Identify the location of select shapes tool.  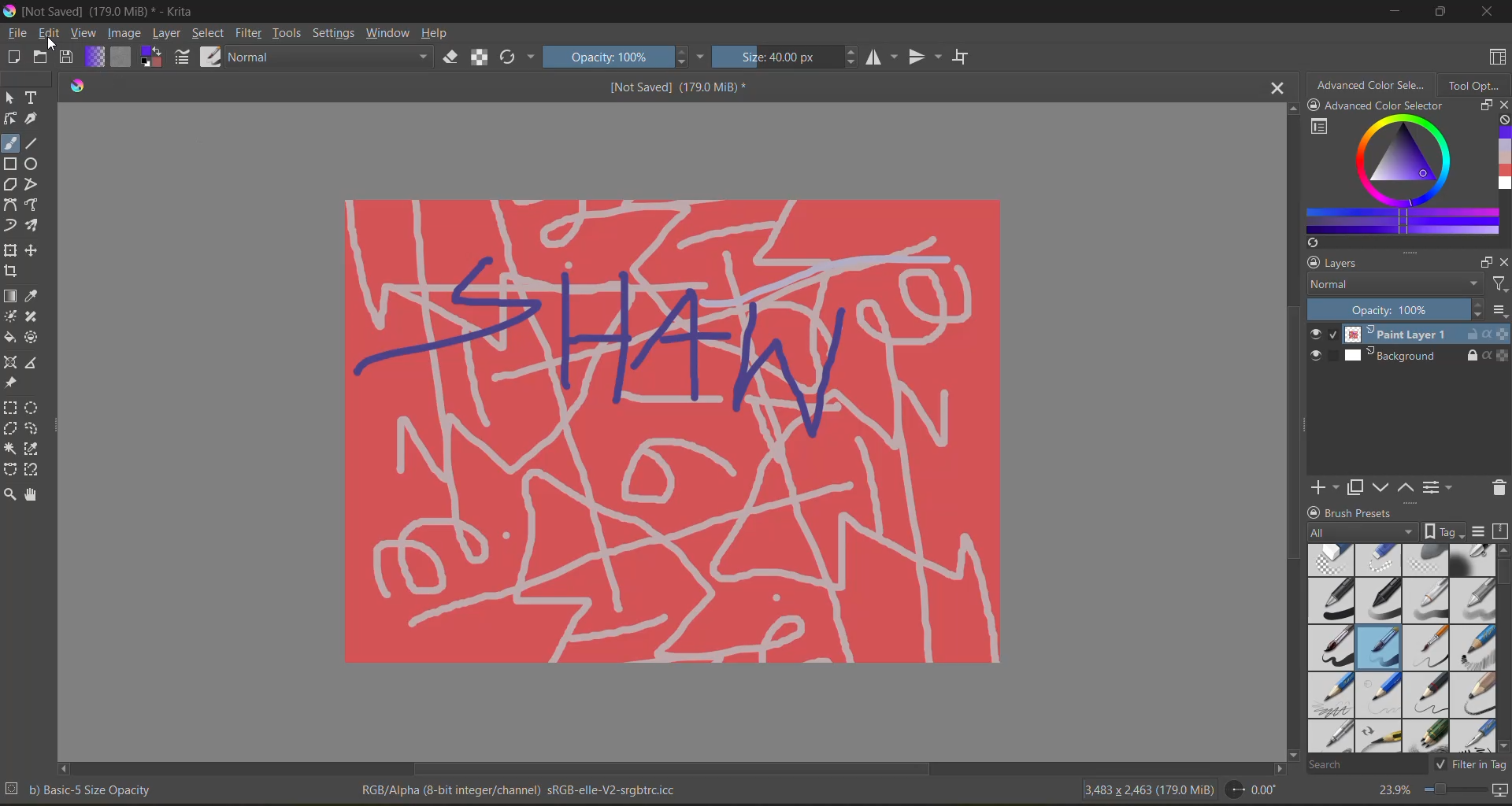
(10, 98).